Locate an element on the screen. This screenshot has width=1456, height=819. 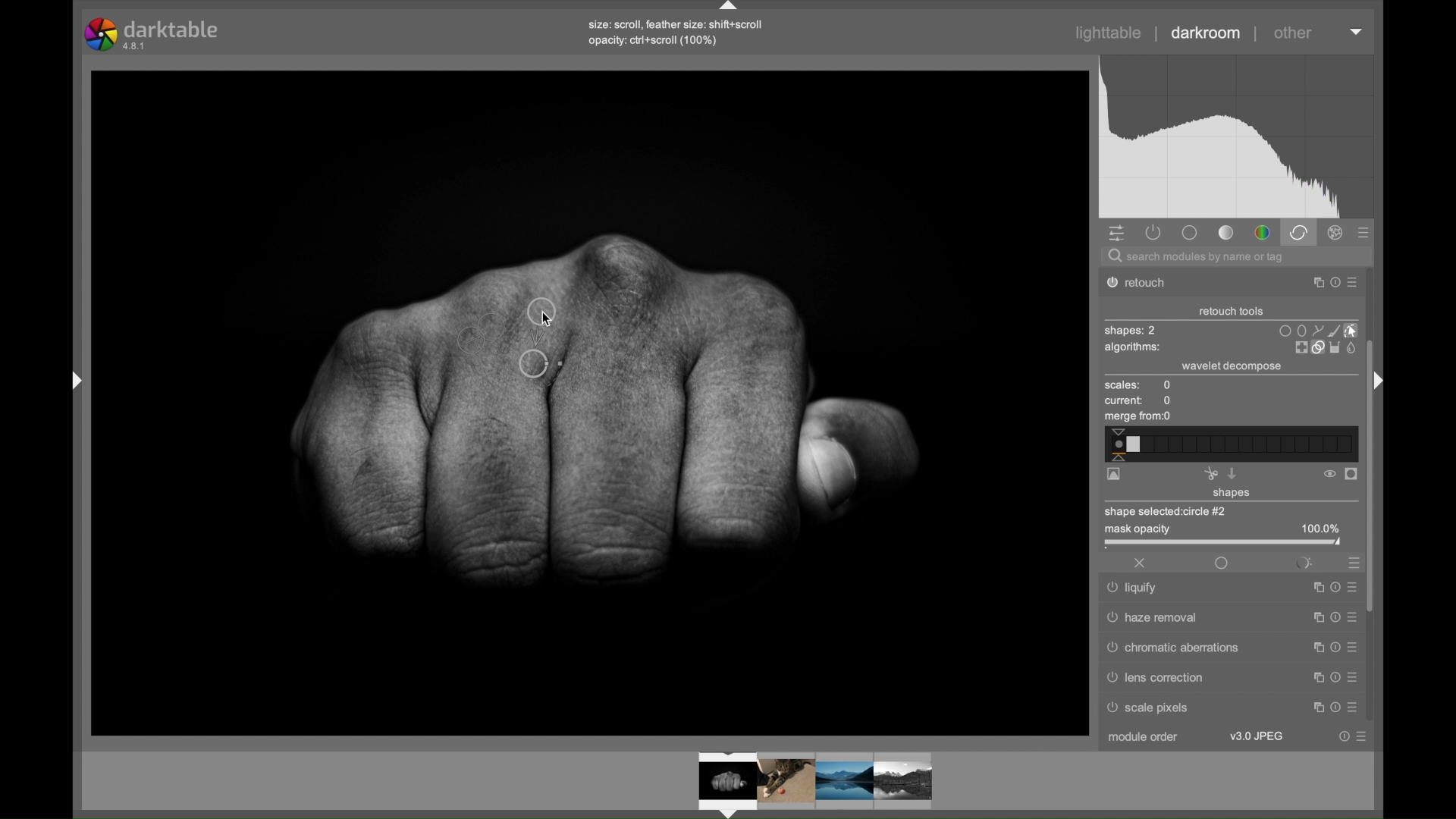
other is located at coordinates (1293, 33).